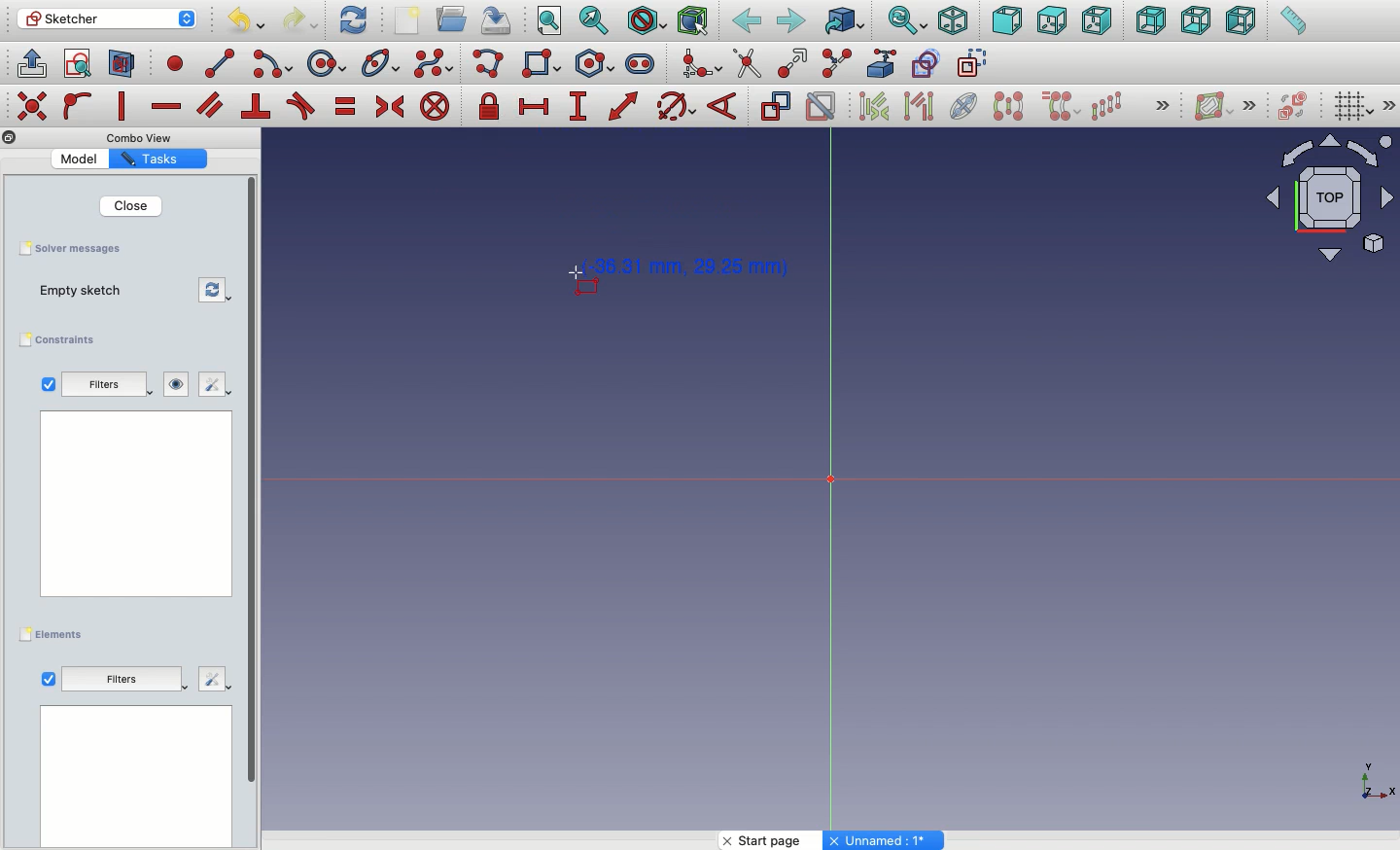 The height and width of the screenshot is (850, 1400). What do you see at coordinates (692, 21) in the screenshot?
I see `Bounding Box` at bounding box center [692, 21].